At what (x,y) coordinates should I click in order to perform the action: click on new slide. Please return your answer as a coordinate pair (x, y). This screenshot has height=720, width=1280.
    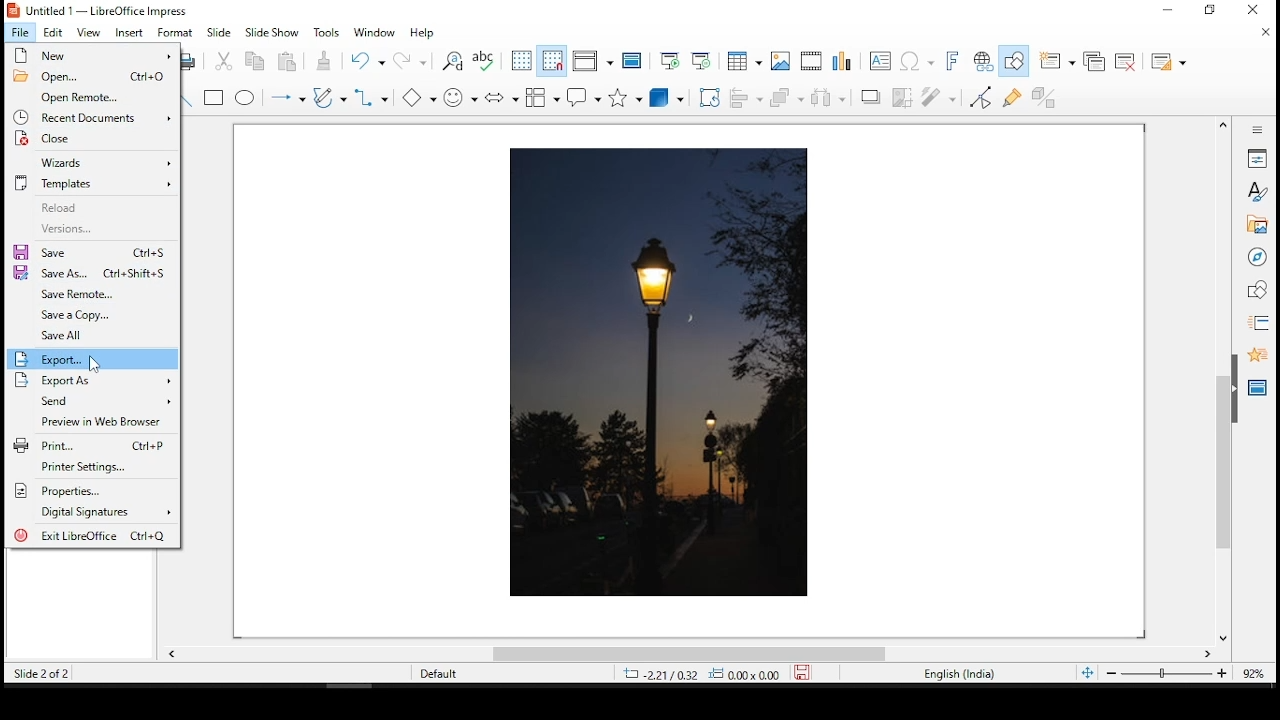
    Looking at the image, I should click on (1059, 60).